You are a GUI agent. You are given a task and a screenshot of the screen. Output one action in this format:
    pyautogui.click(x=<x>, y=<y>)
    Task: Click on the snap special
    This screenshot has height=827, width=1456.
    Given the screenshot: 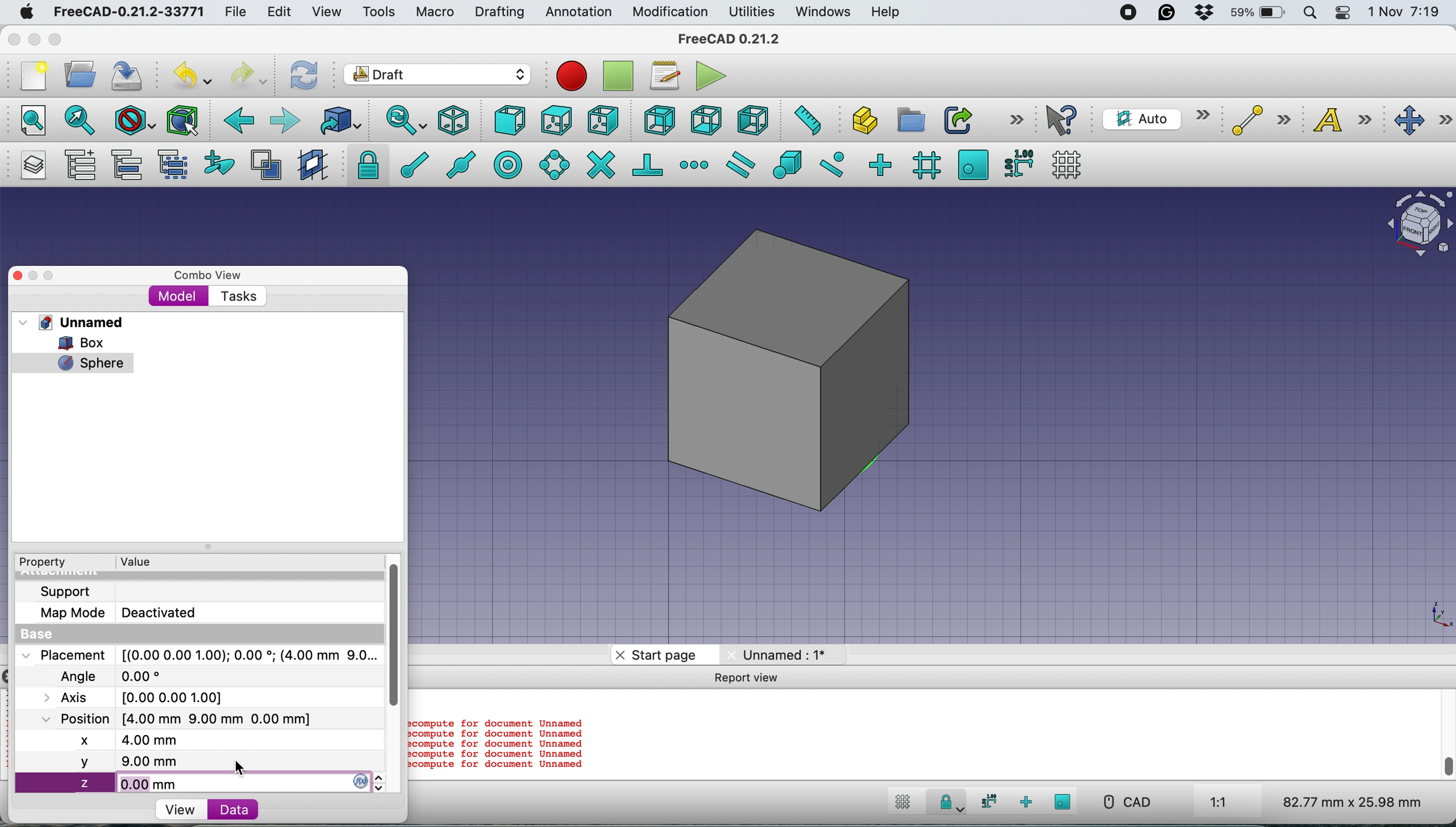 What is the action you would take?
    pyautogui.click(x=787, y=164)
    